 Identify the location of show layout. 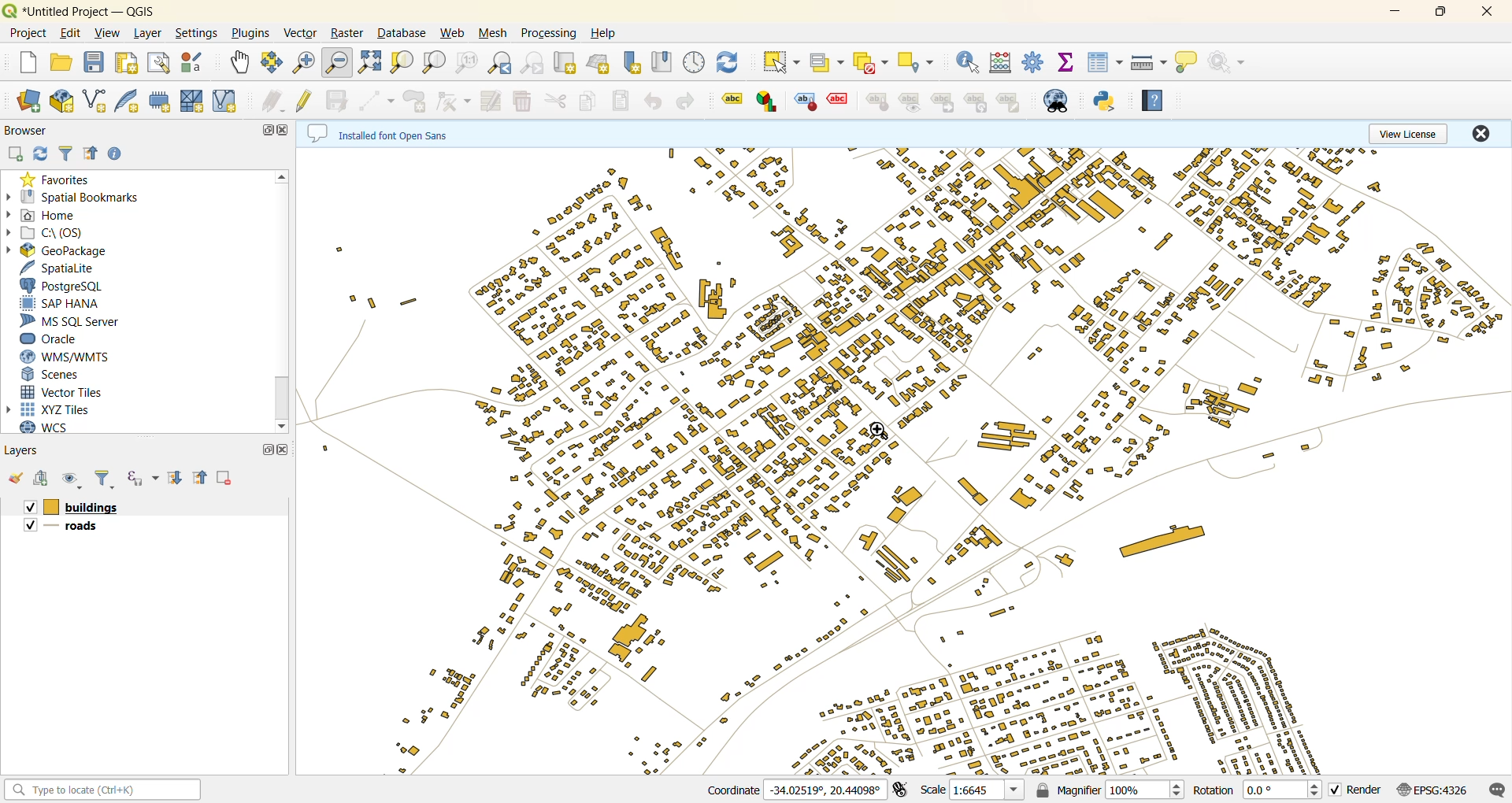
(157, 64).